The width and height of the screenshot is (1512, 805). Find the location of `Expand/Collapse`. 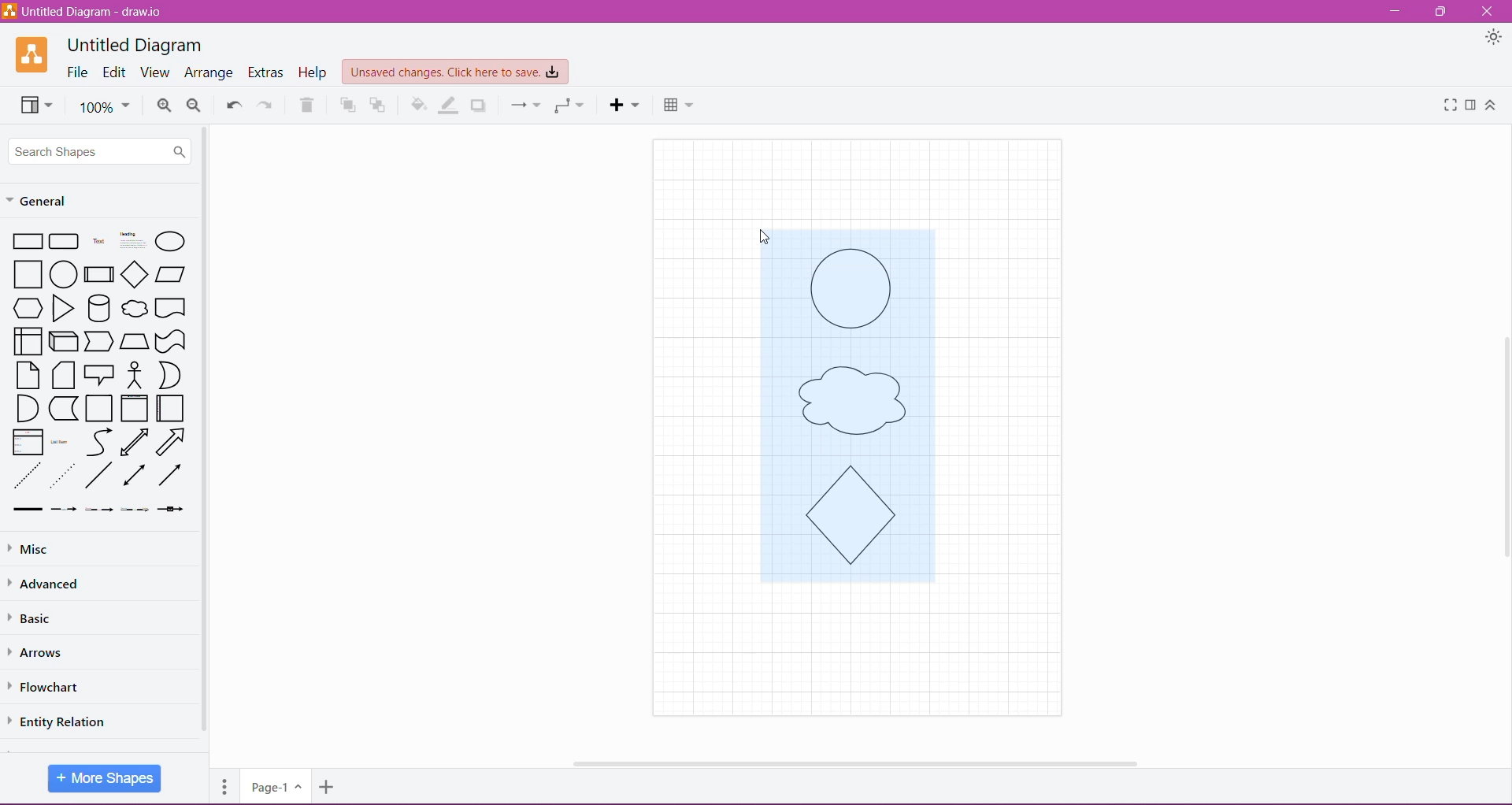

Expand/Collapse is located at coordinates (1491, 106).